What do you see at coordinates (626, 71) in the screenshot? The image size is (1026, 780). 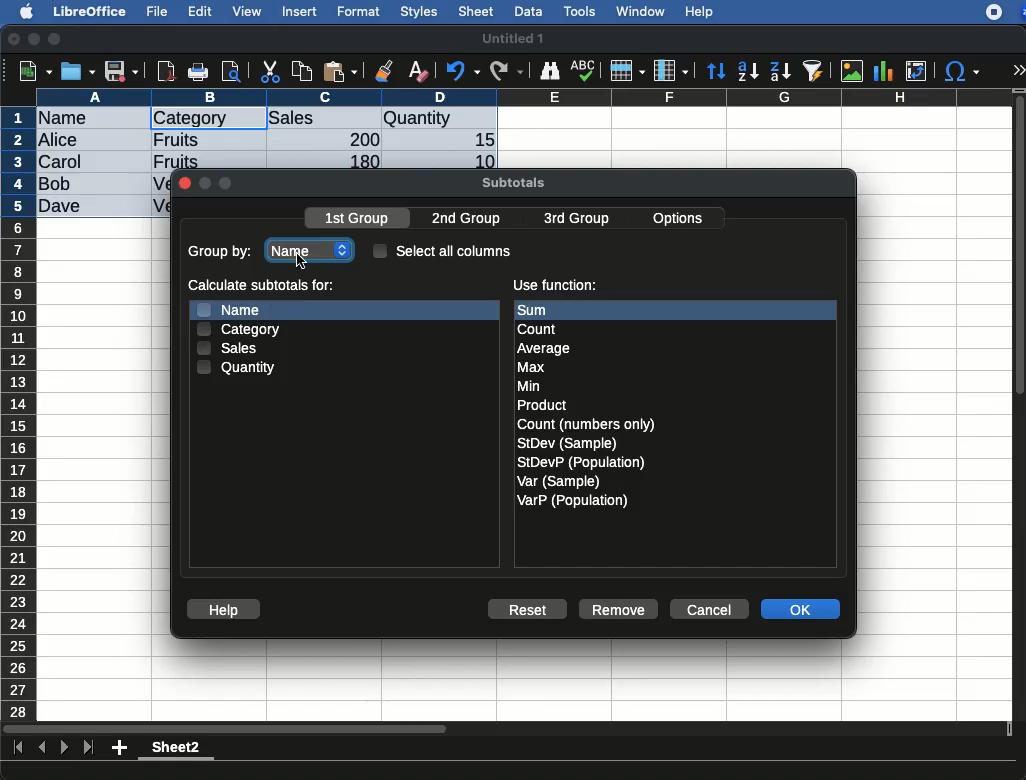 I see `row` at bounding box center [626, 71].